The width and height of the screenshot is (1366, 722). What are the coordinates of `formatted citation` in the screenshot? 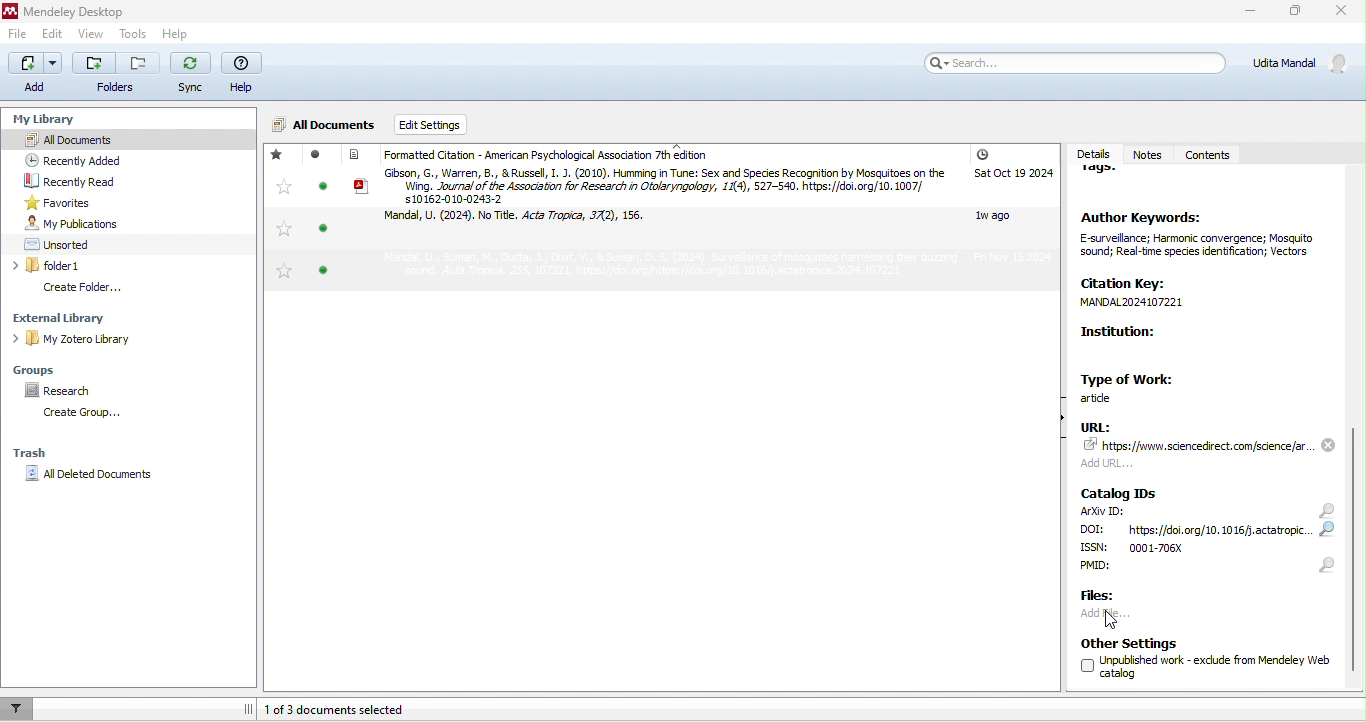 It's located at (538, 155).